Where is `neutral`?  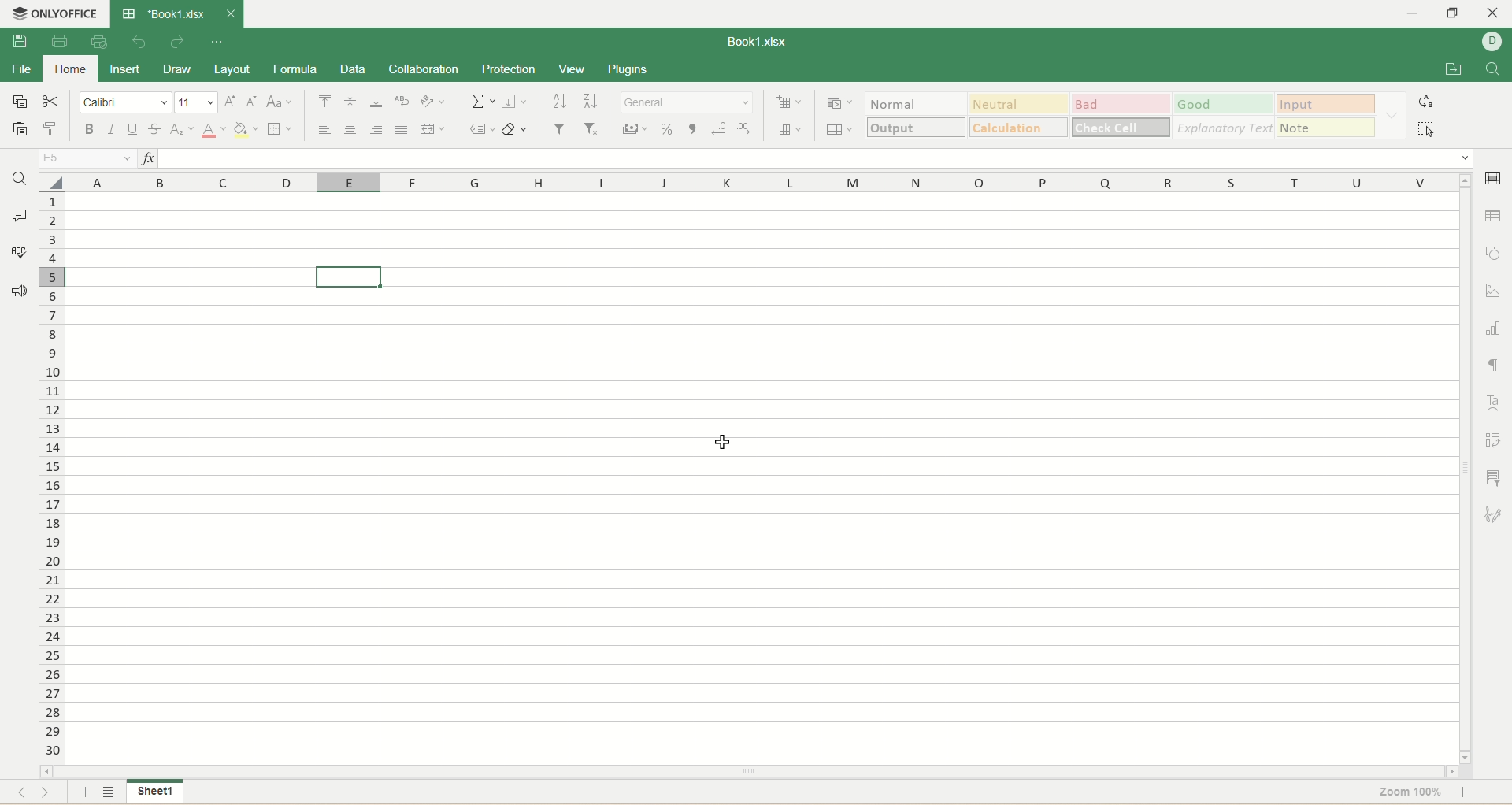
neutral is located at coordinates (1020, 105).